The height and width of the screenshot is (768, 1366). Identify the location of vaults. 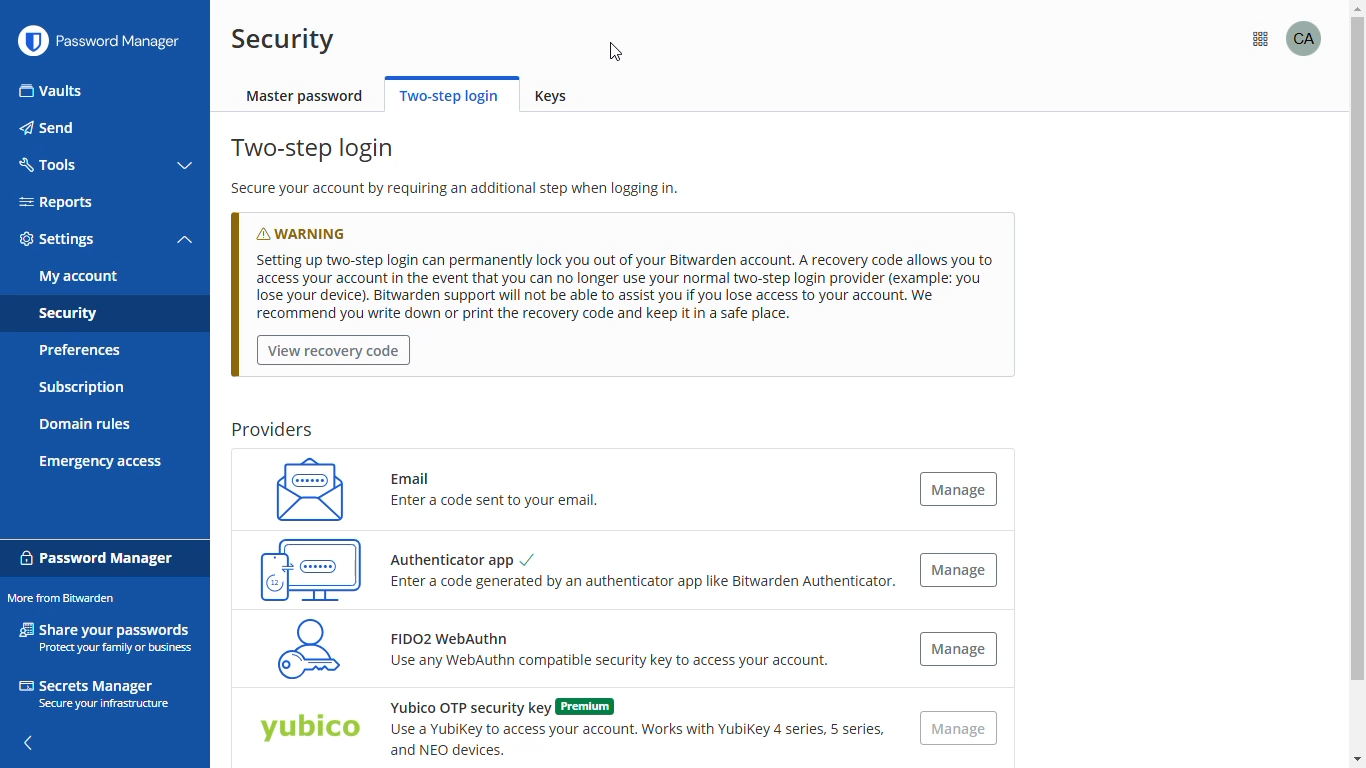
(52, 91).